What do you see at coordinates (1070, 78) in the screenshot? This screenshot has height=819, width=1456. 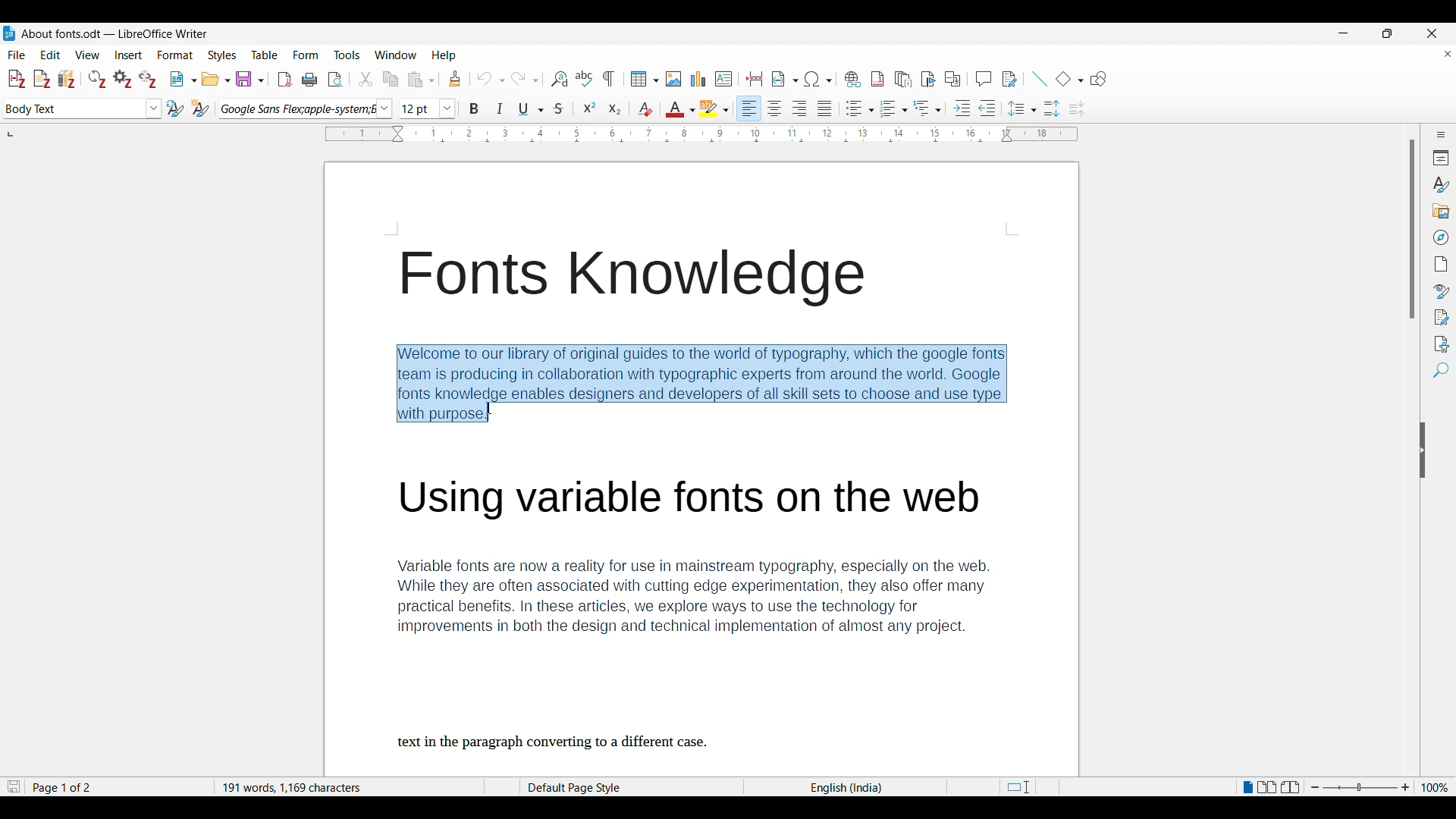 I see `Basic shape options` at bounding box center [1070, 78].